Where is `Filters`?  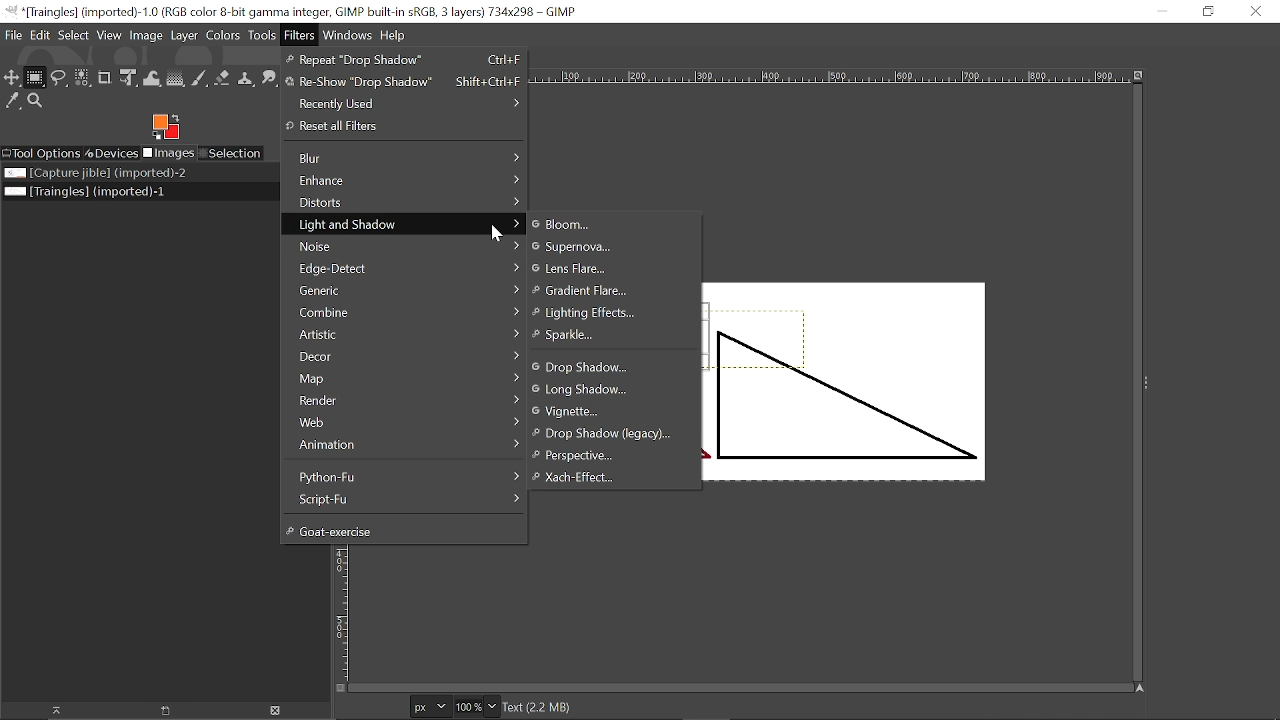 Filters is located at coordinates (300, 34).